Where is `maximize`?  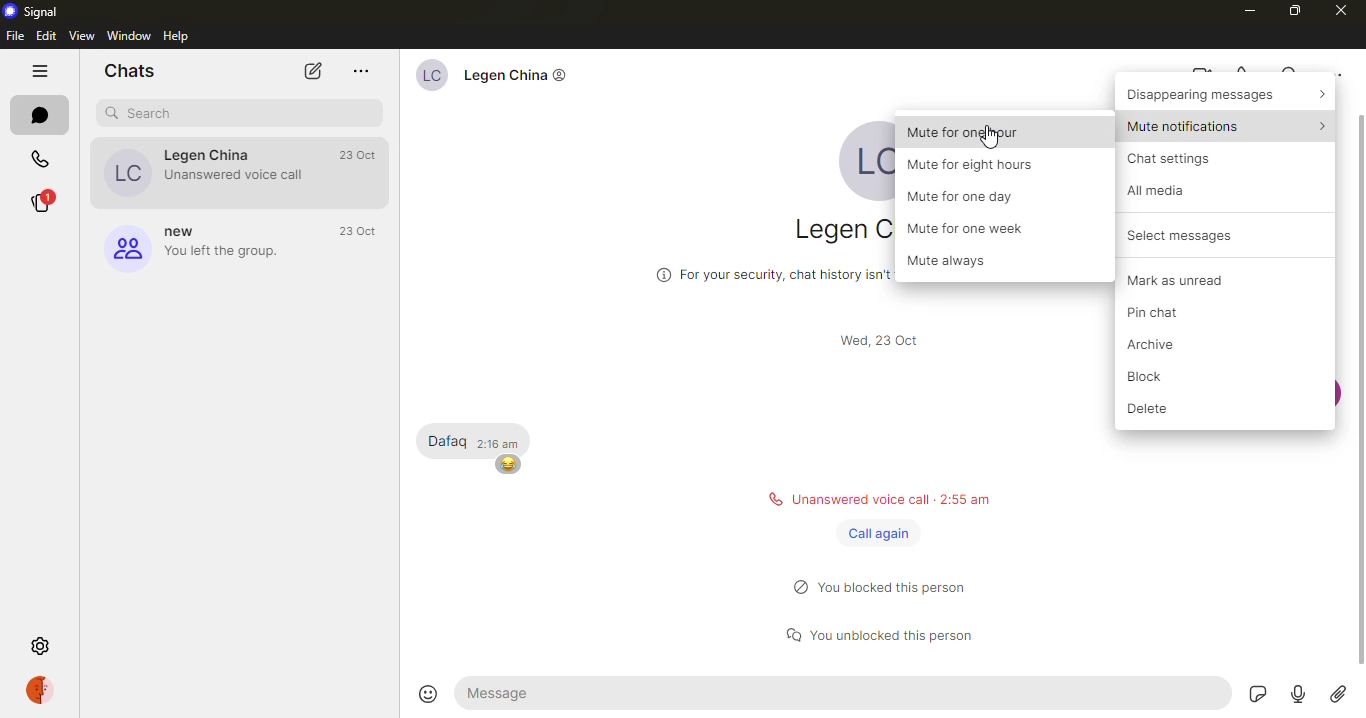 maximize is located at coordinates (1293, 9).